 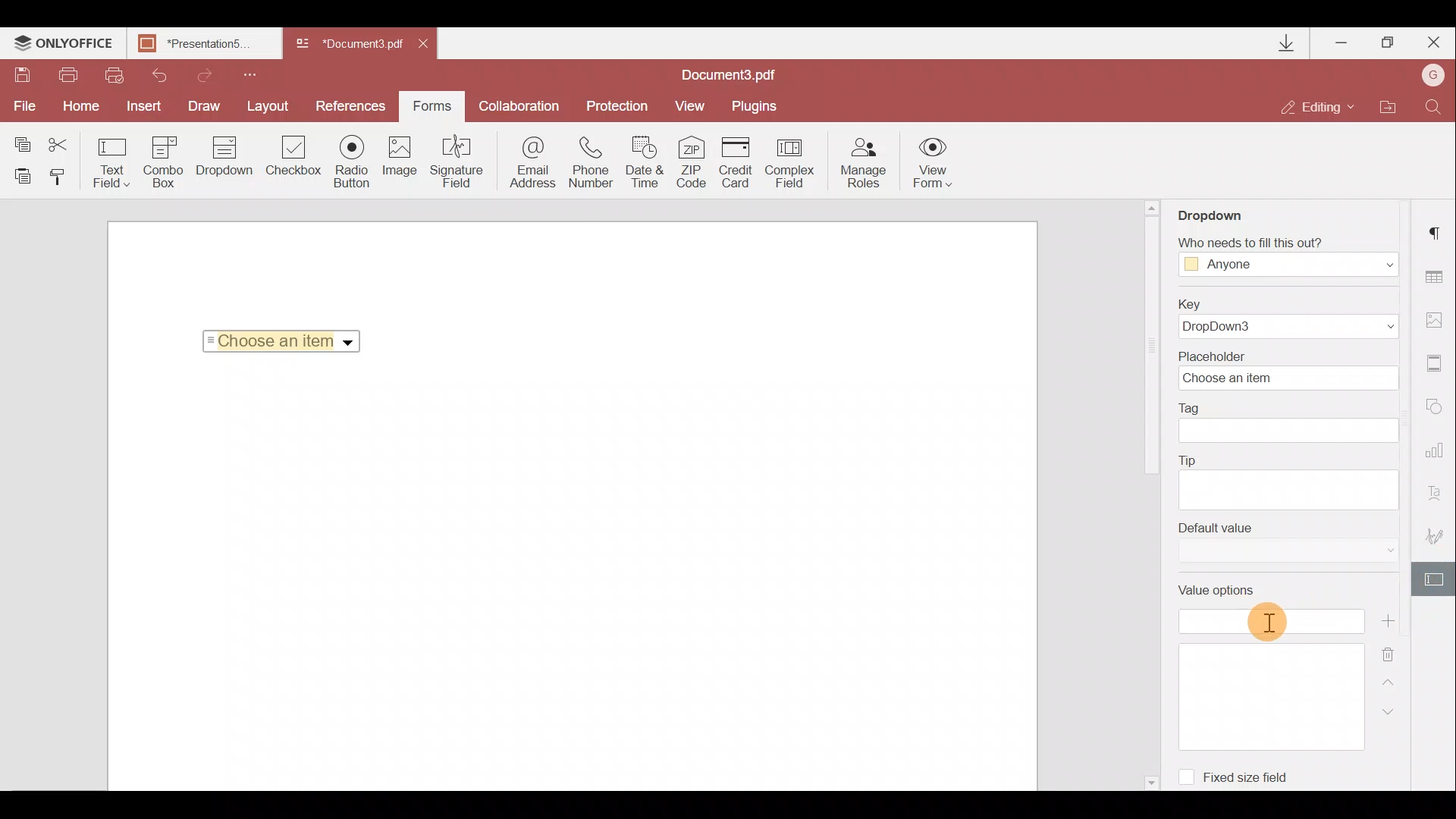 I want to click on Plugins, so click(x=756, y=107).